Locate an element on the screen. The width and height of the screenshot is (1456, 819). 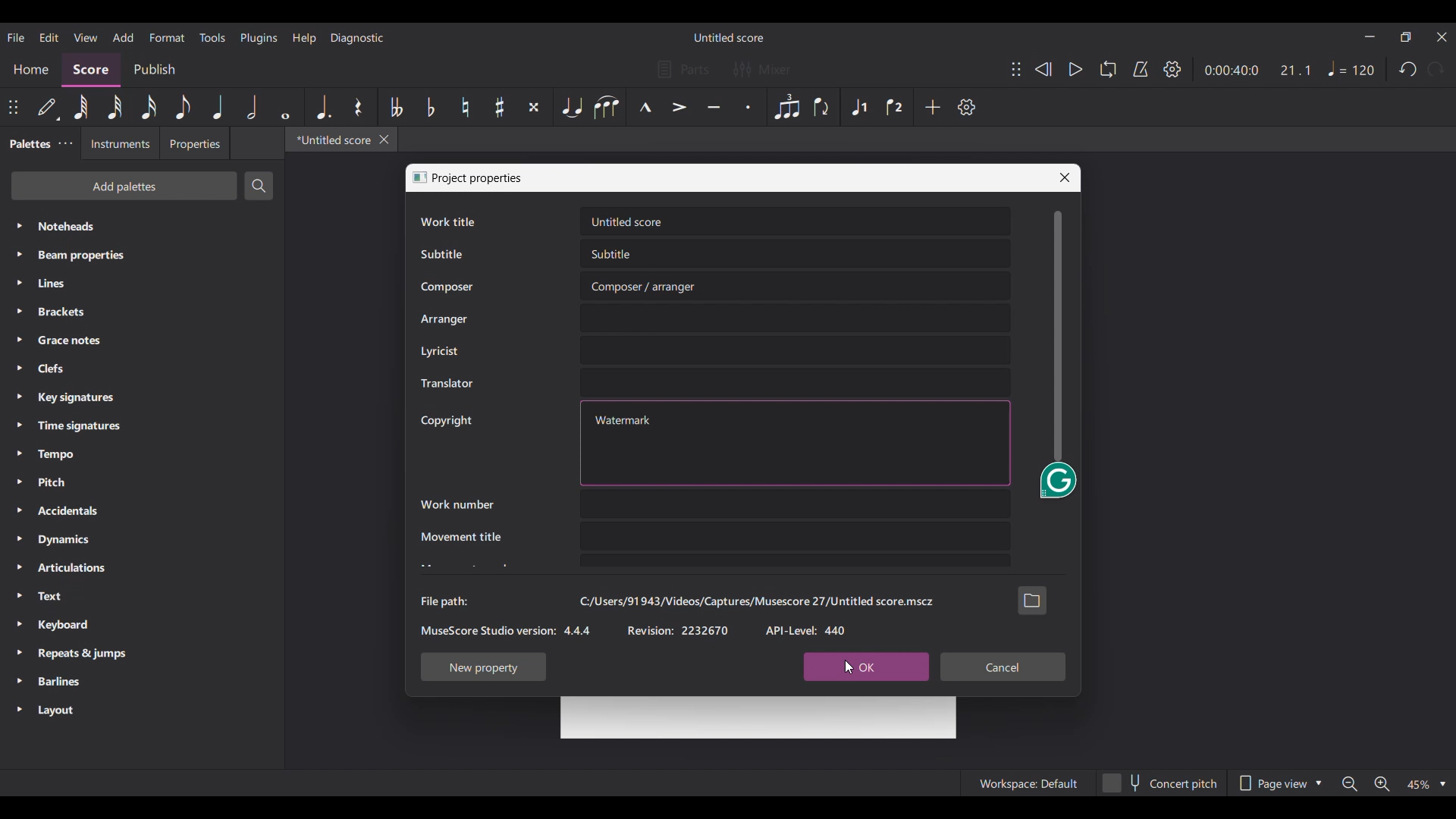
Half note is located at coordinates (252, 107).